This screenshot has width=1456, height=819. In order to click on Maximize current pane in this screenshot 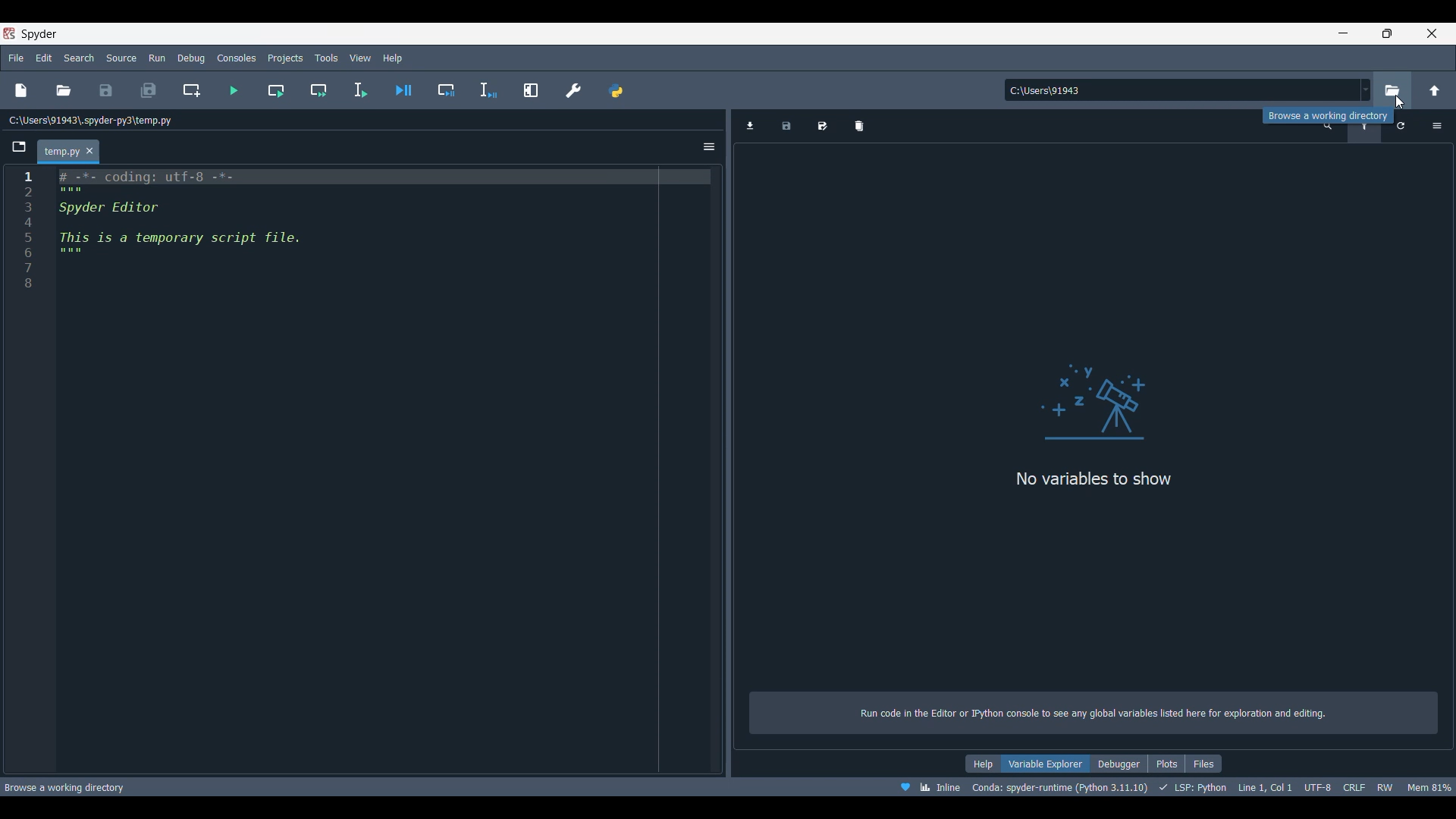, I will do `click(532, 90)`.